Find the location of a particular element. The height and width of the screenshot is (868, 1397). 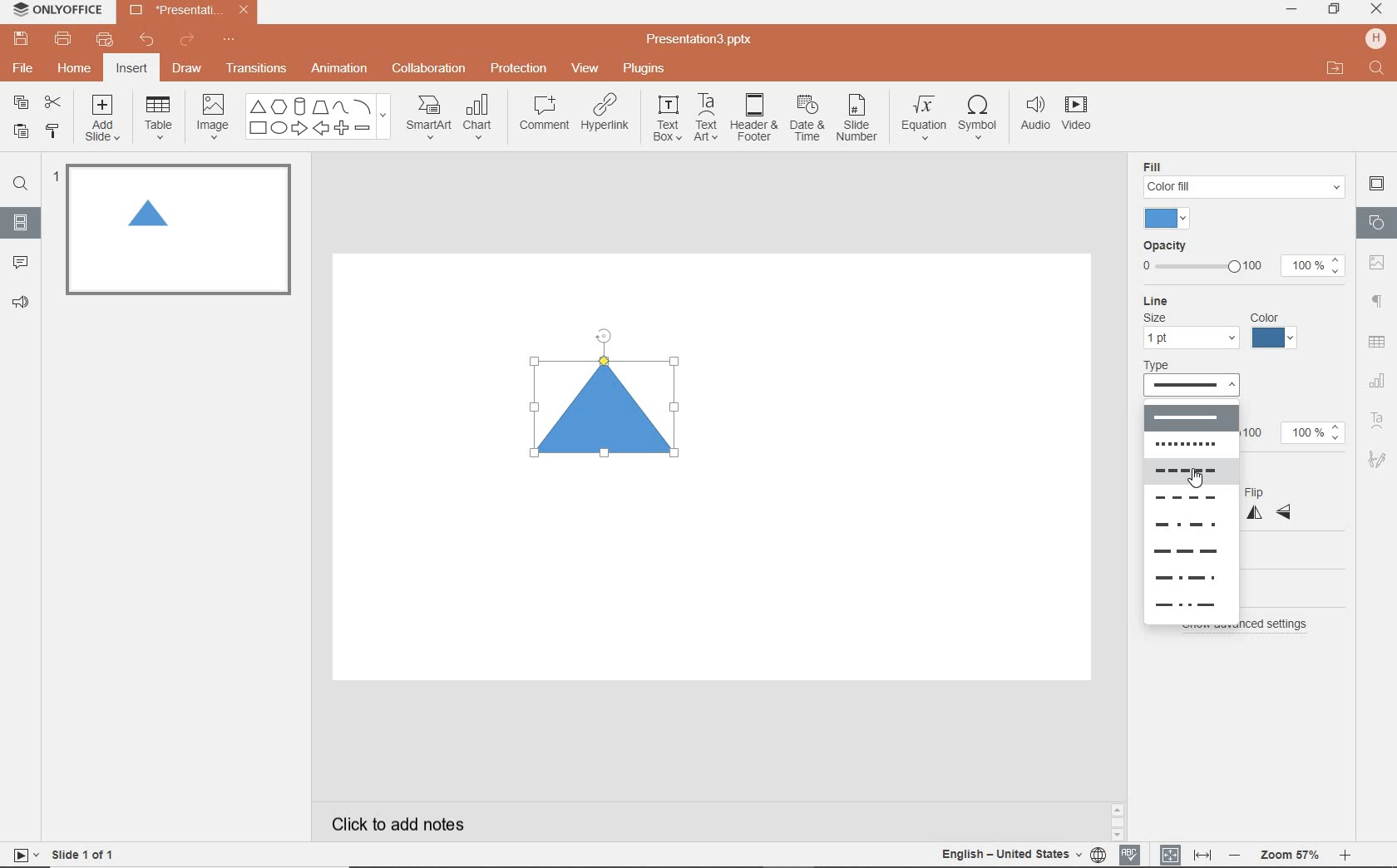

HOME is located at coordinates (76, 70).